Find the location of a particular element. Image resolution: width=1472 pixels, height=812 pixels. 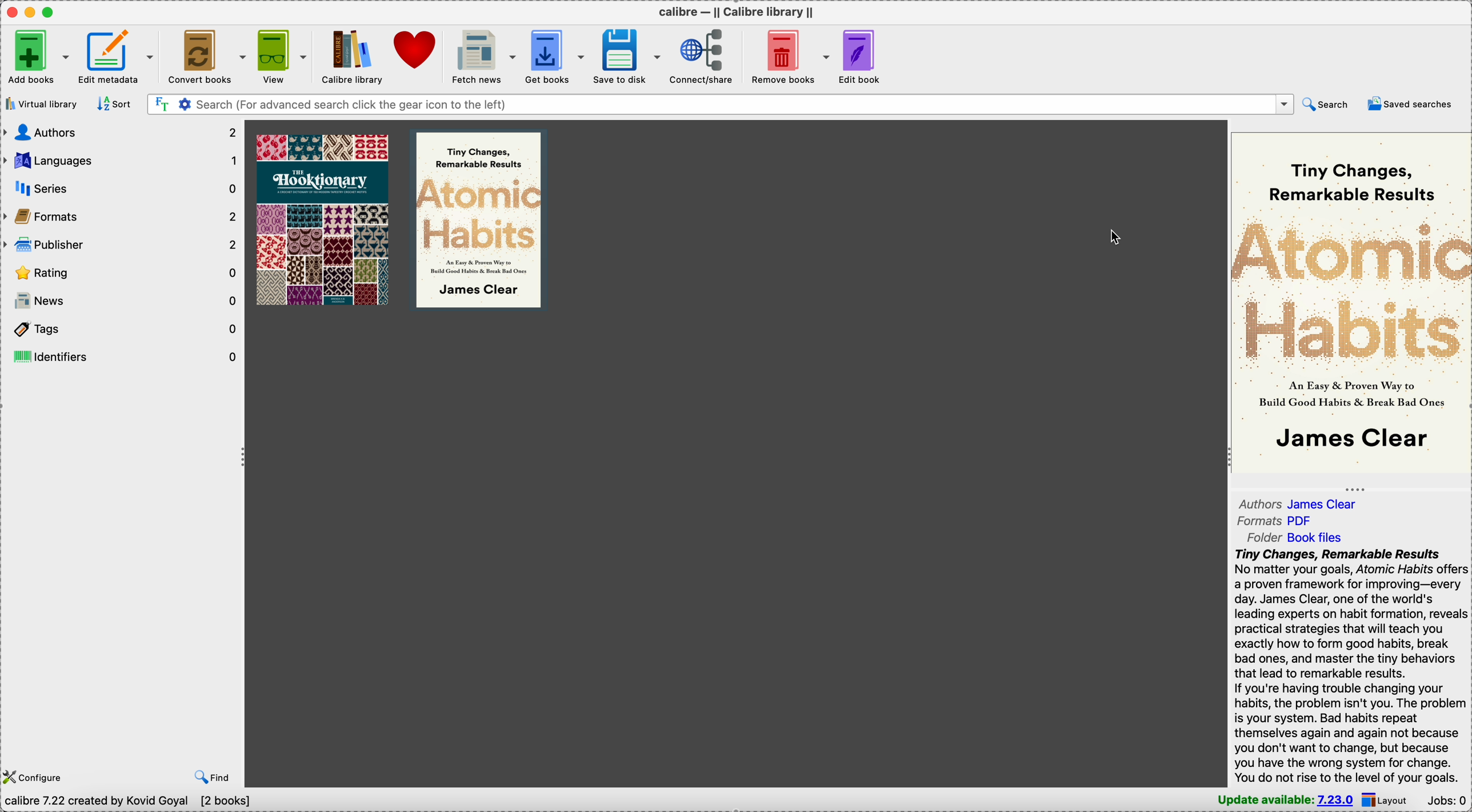

formats is located at coordinates (122, 217).